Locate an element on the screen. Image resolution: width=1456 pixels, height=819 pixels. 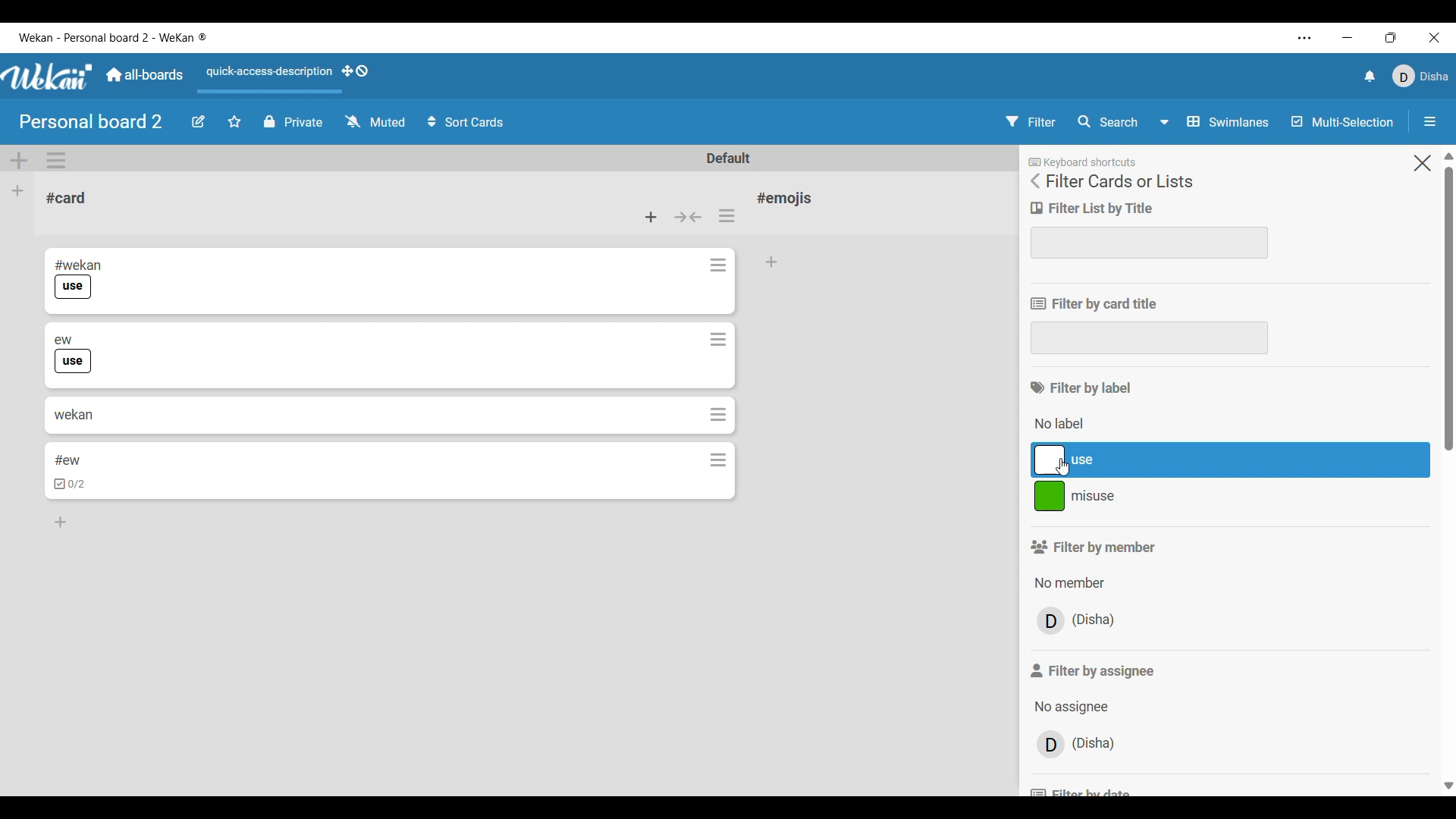
Card actions for respective card is located at coordinates (719, 460).